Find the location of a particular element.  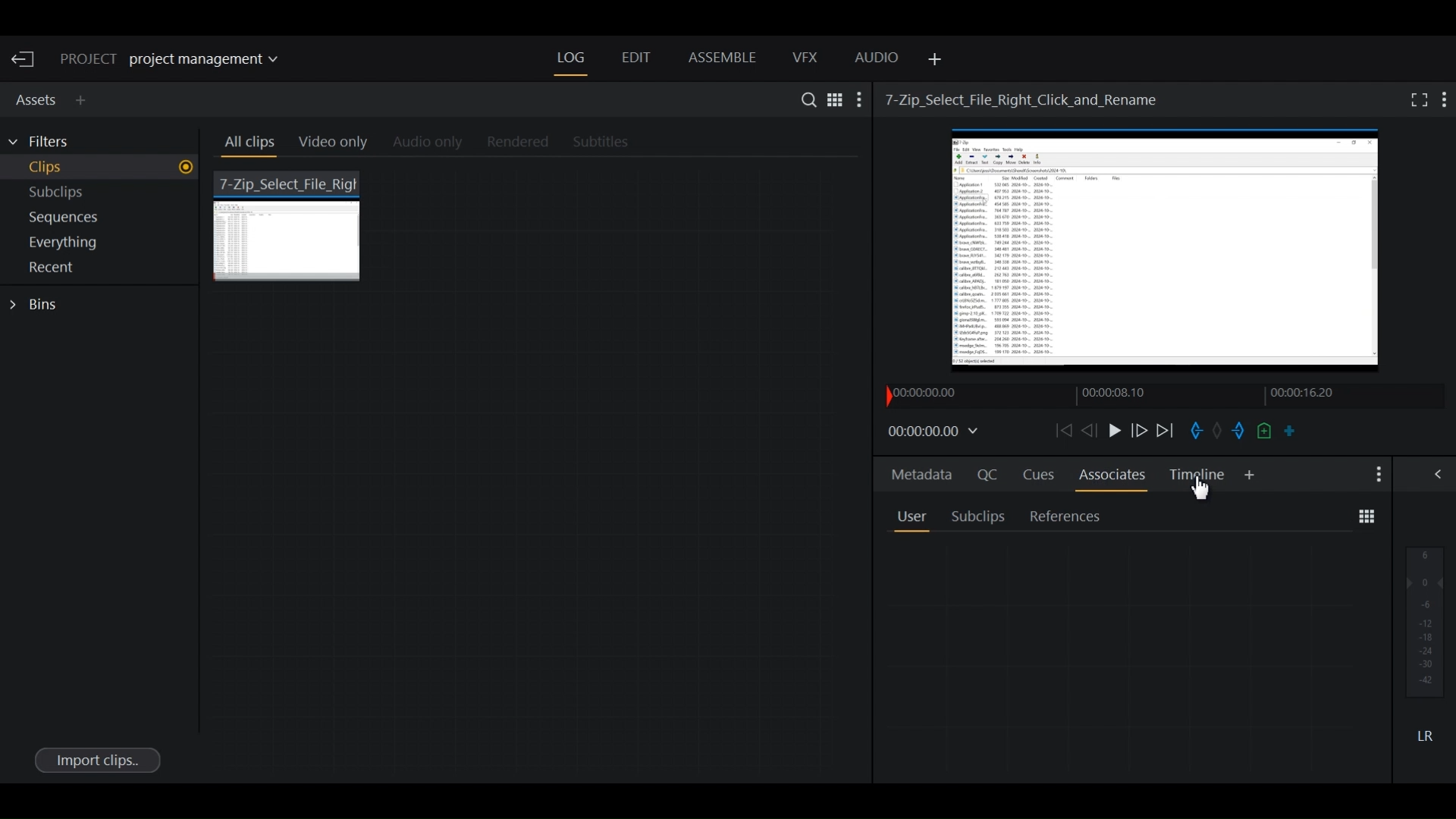

Edit is located at coordinates (635, 59).